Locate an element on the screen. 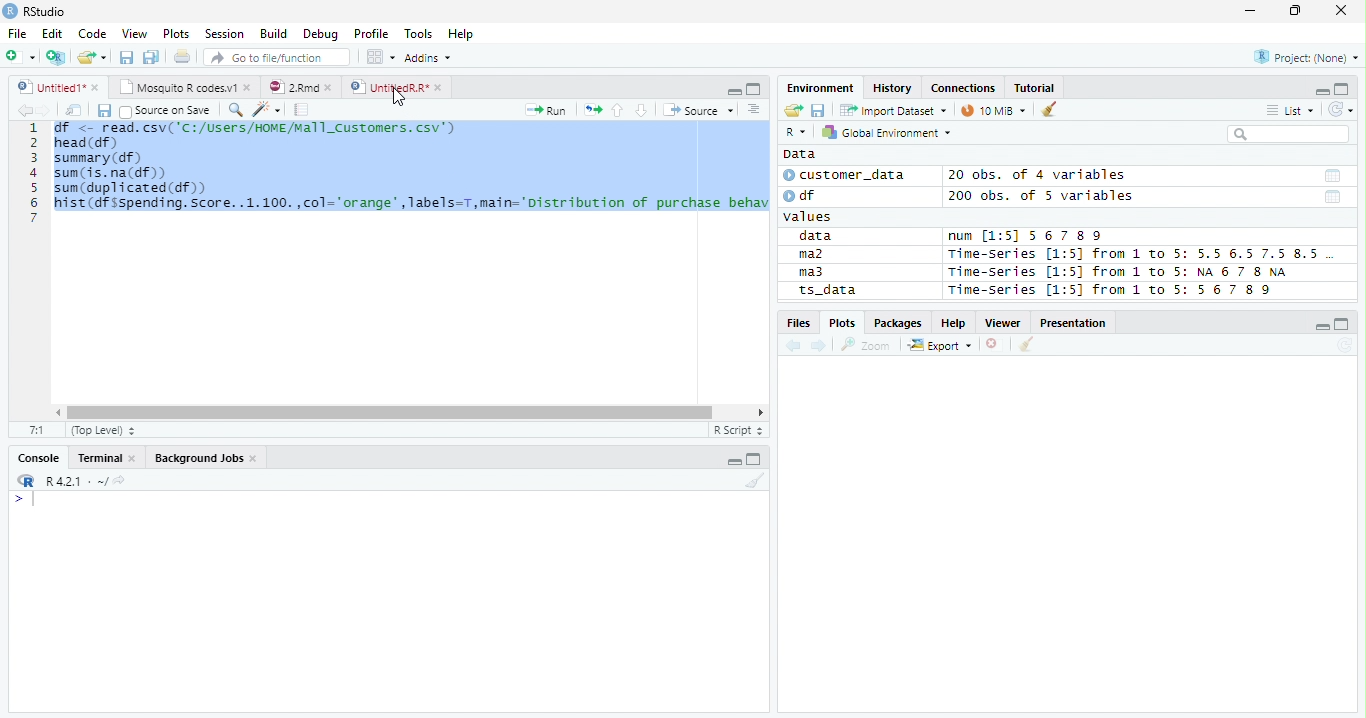 This screenshot has width=1366, height=718. Date is located at coordinates (1331, 176).